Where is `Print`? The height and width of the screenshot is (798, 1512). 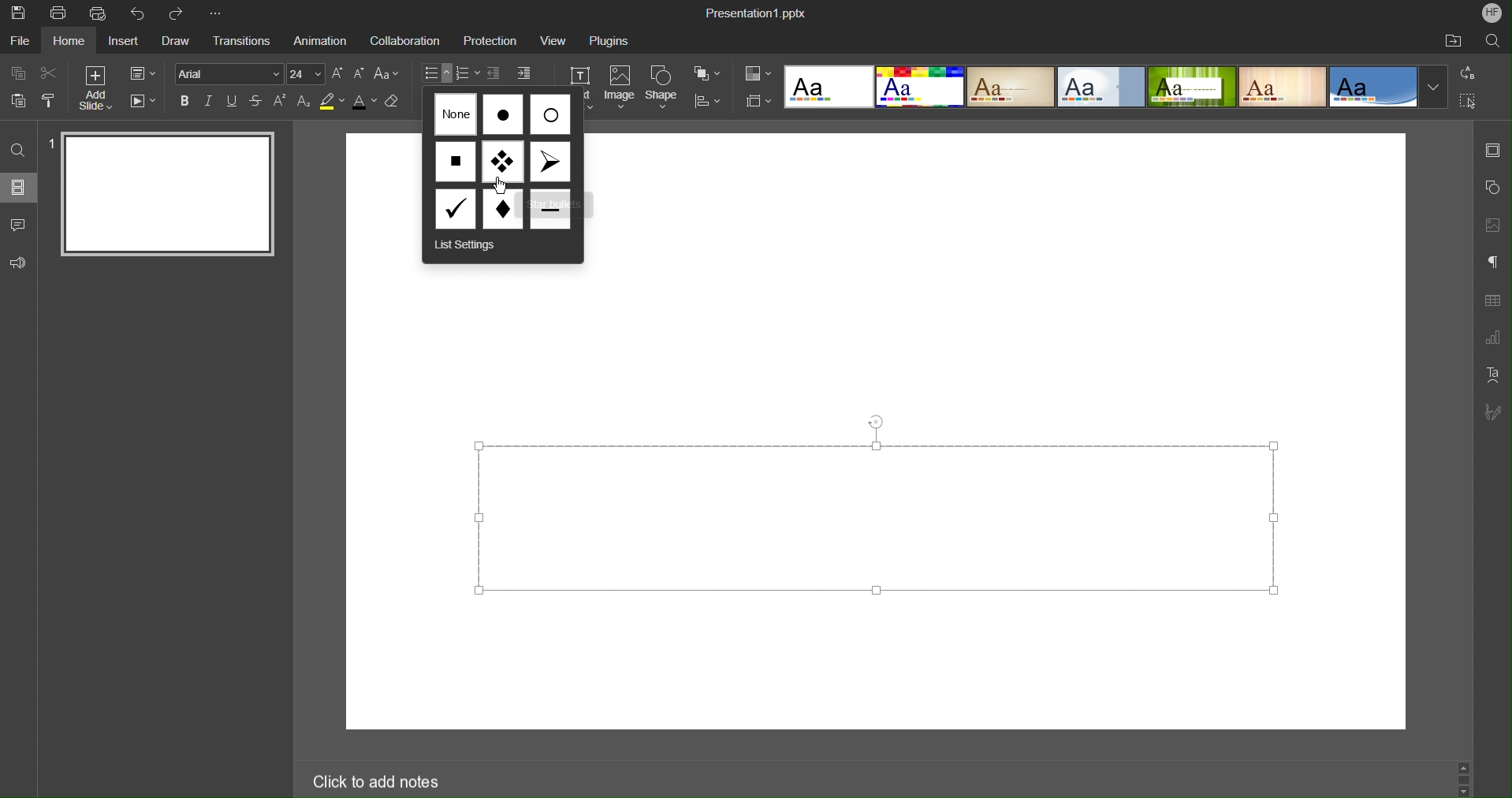
Print is located at coordinates (58, 13).